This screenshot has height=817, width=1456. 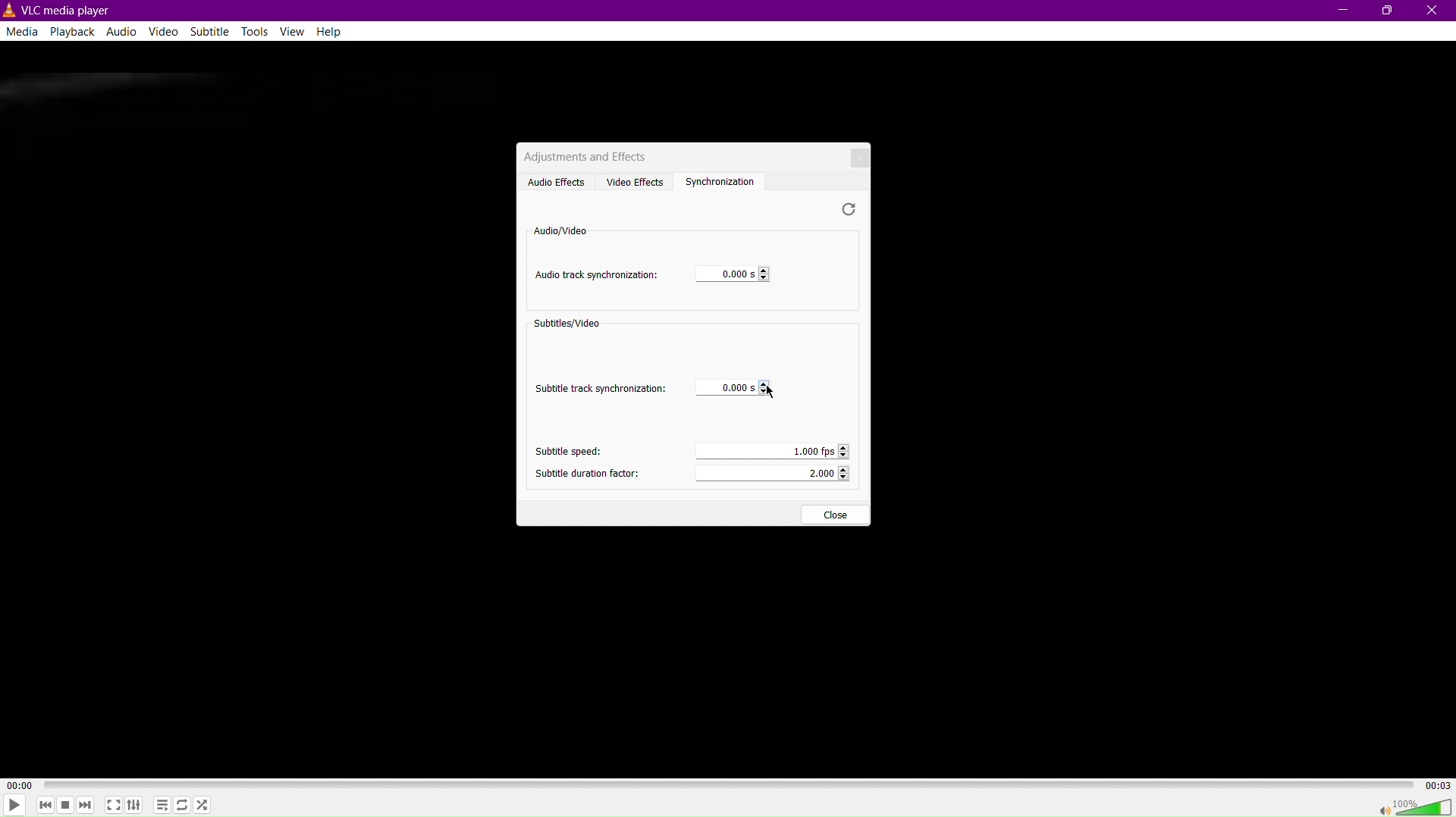 I want to click on total/remaining time, so click(x=1439, y=785).